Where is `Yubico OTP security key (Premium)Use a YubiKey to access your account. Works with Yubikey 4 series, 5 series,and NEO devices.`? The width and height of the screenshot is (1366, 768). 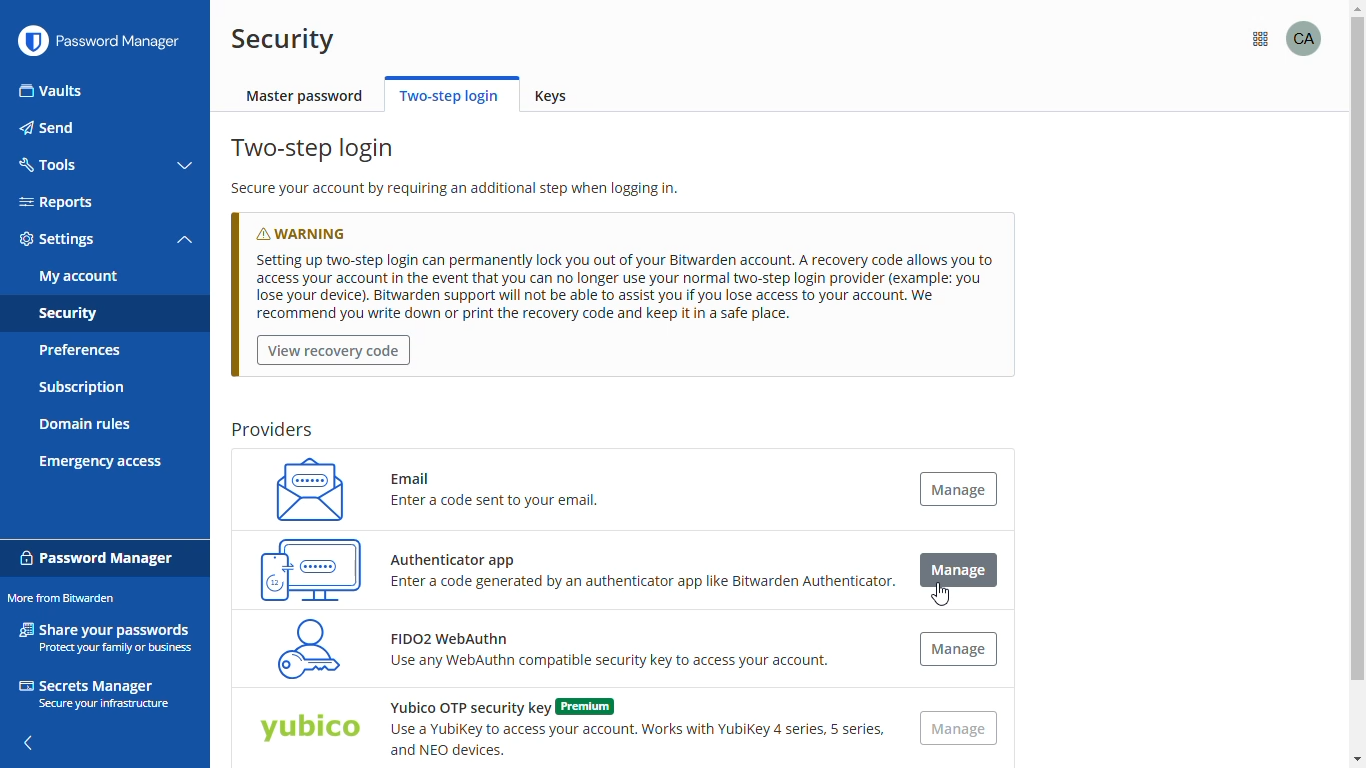 Yubico OTP security key (Premium)Use a YubiKey to access your account. Works with Yubikey 4 series, 5 series,and NEO devices. is located at coordinates (634, 728).